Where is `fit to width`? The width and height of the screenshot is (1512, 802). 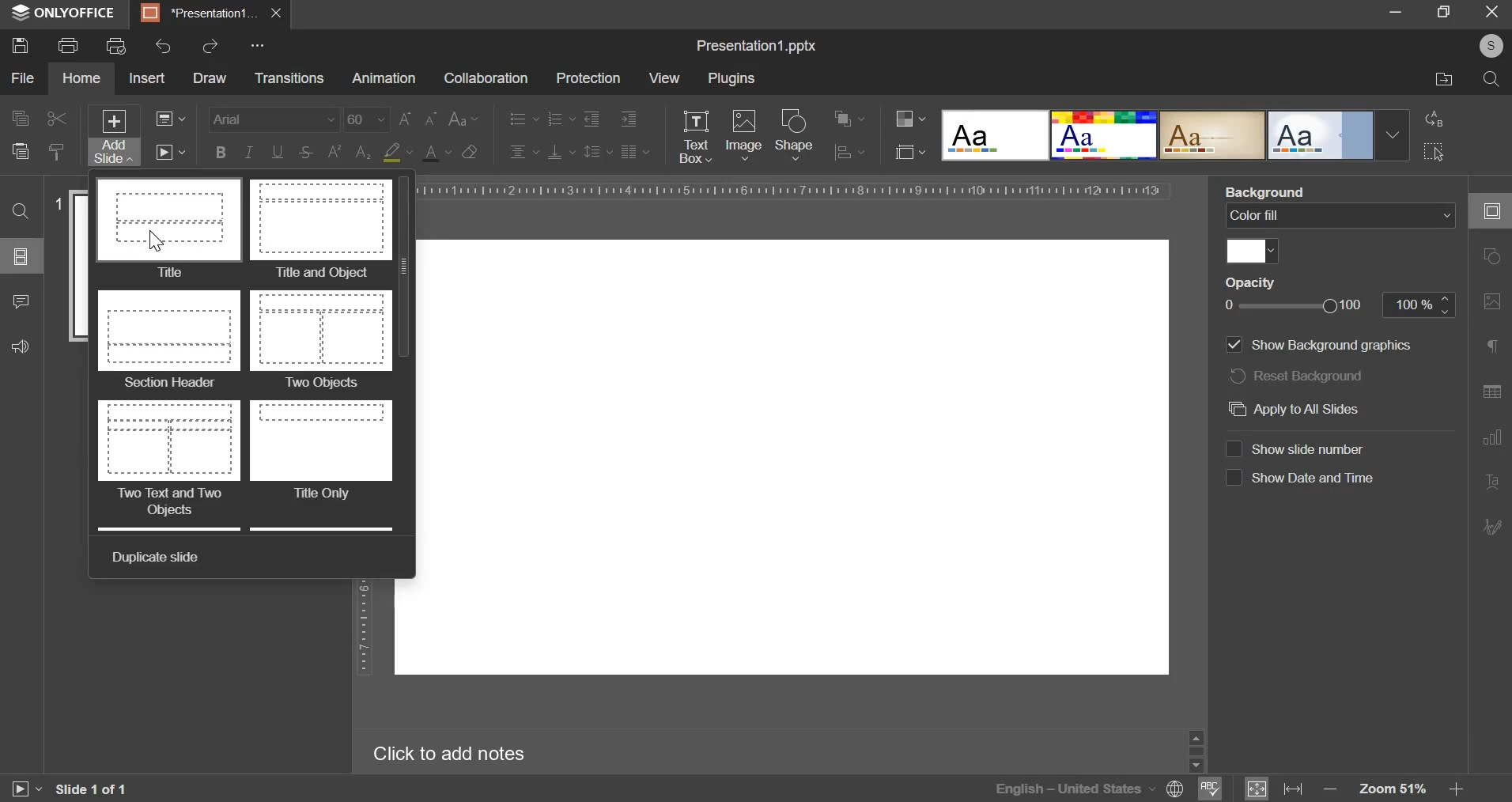 fit to width is located at coordinates (1295, 788).